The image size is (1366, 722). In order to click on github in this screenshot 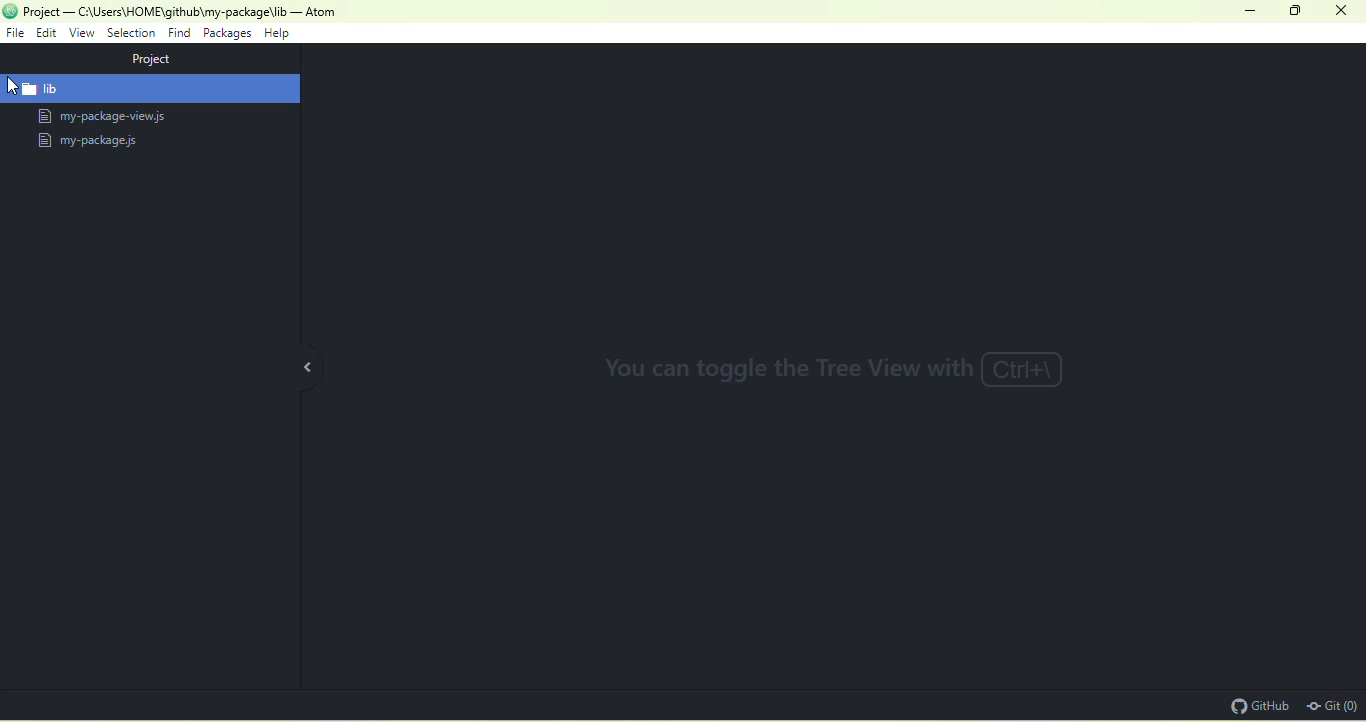, I will do `click(1254, 704)`.